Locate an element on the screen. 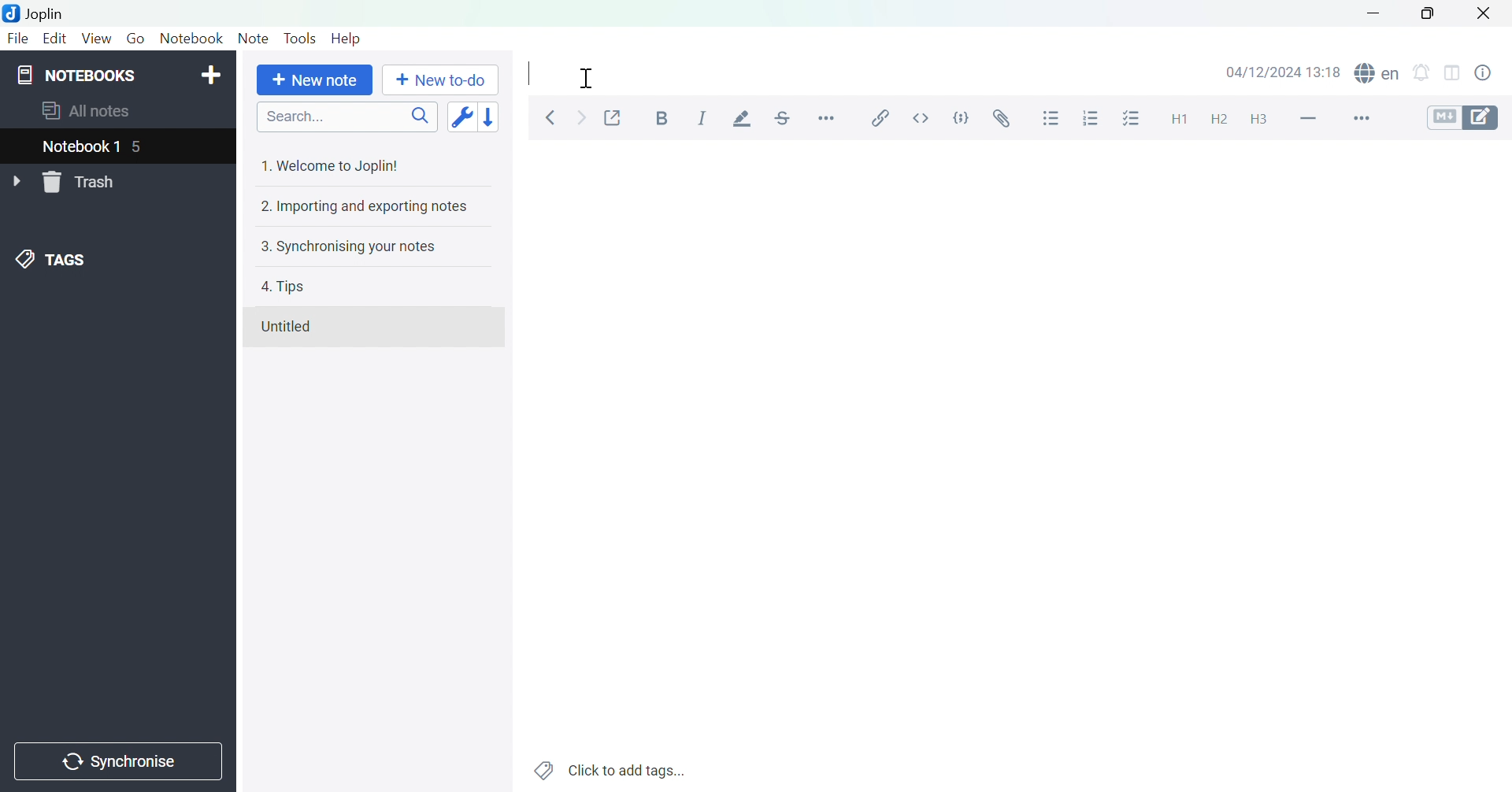 This screenshot has width=1512, height=792. Click to add tags... is located at coordinates (610, 769).